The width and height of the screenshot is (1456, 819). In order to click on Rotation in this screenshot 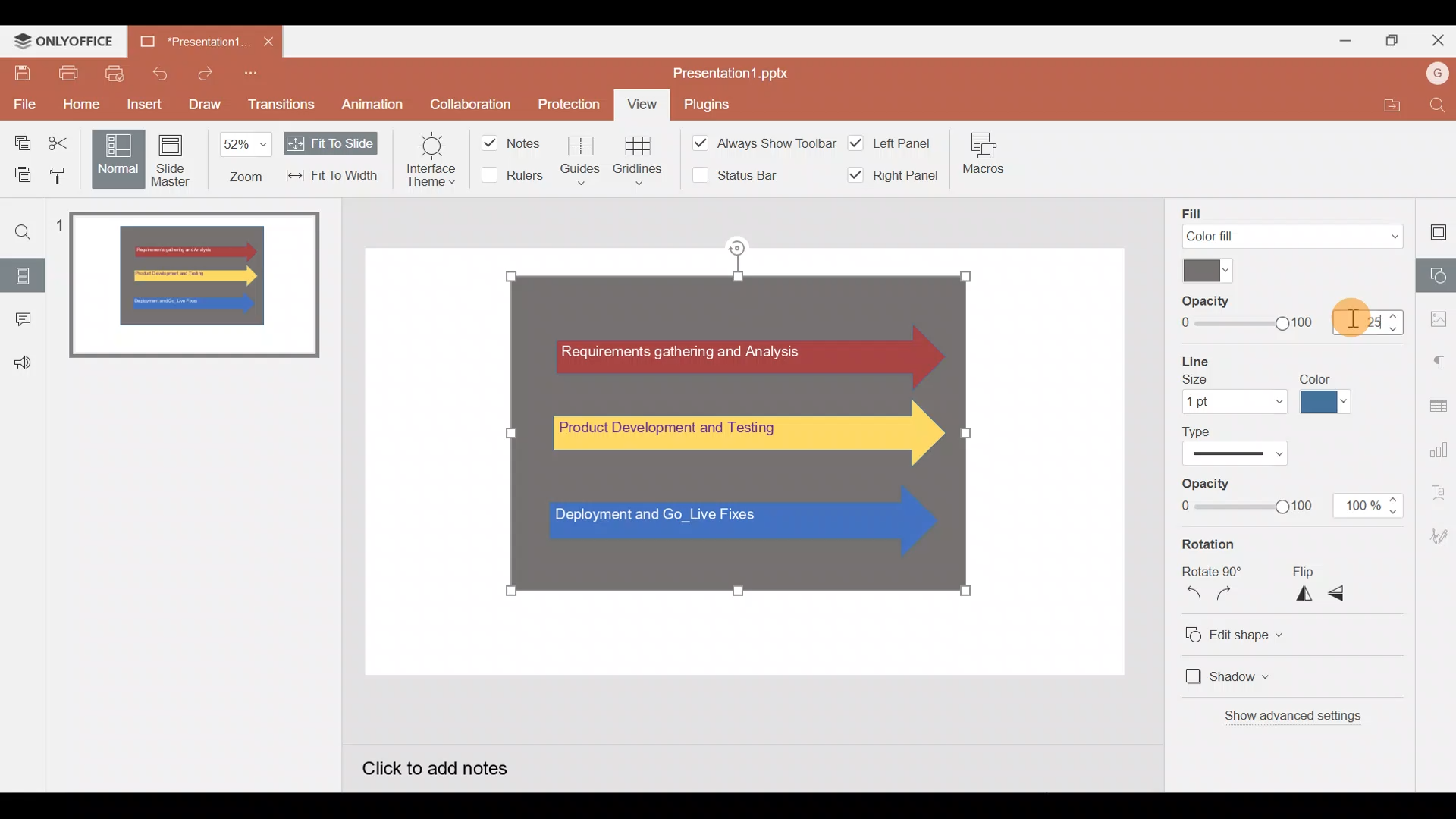, I will do `click(1230, 546)`.